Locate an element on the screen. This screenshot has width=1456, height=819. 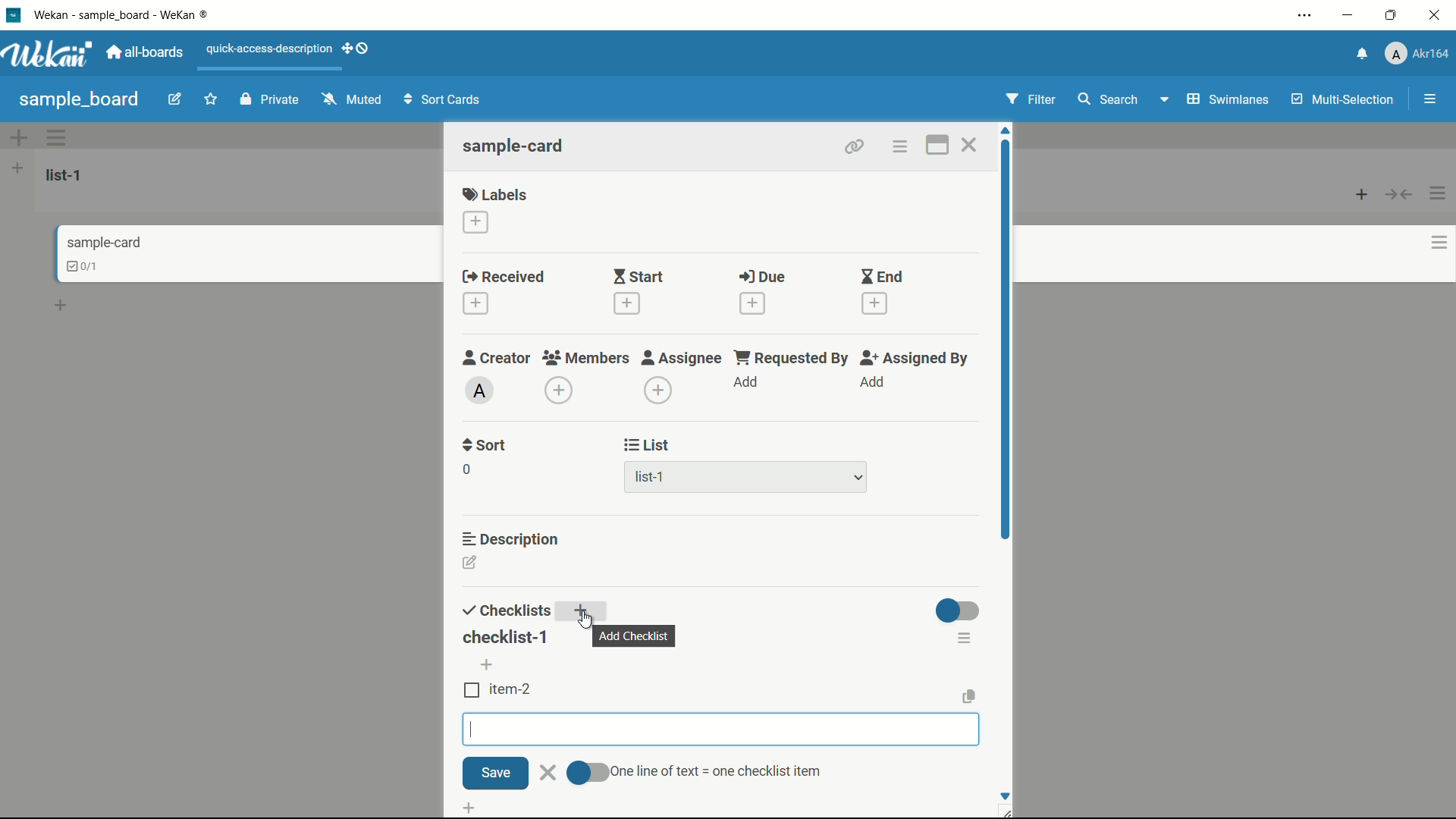
card name is located at coordinates (515, 146).